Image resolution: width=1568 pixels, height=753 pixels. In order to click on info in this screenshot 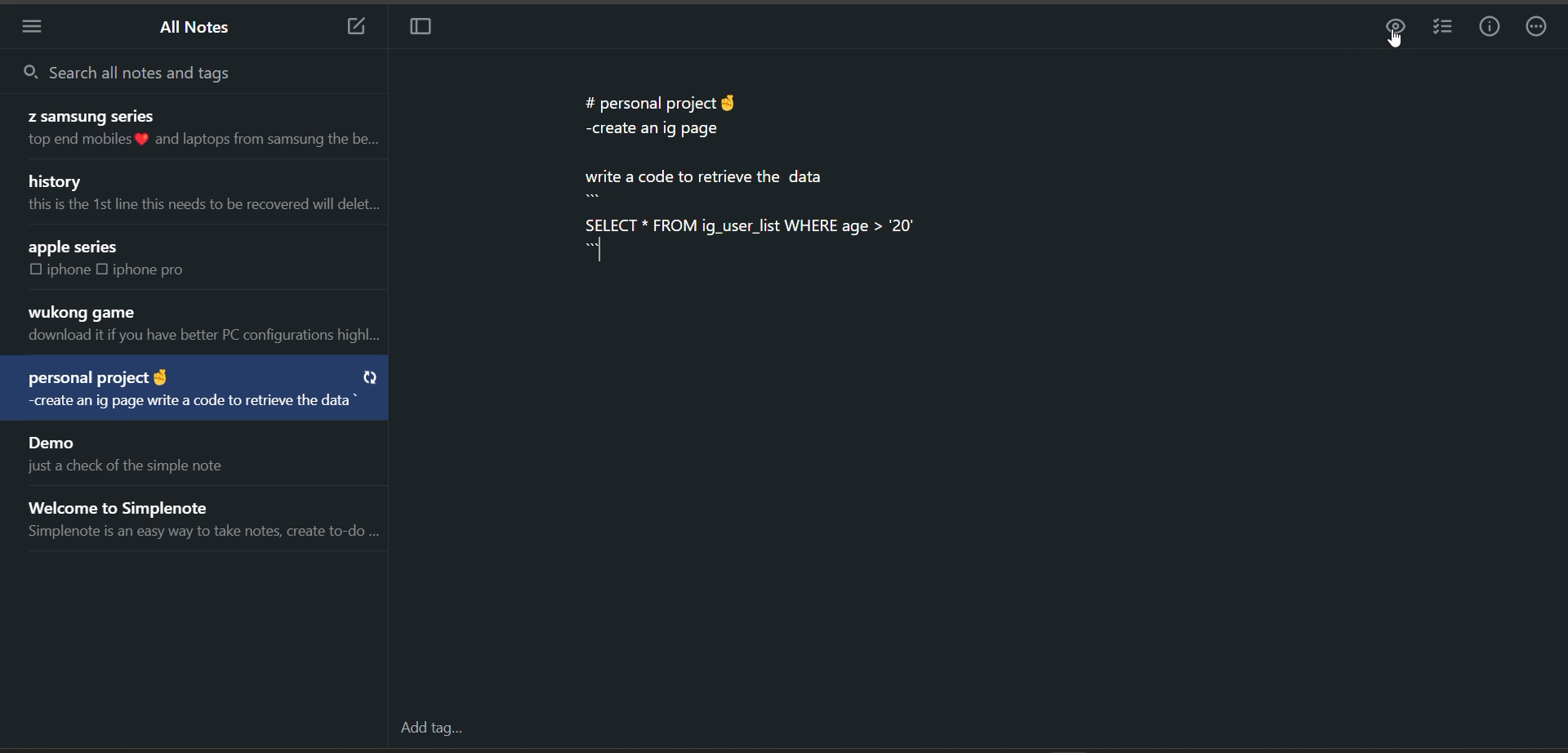, I will do `click(1490, 27)`.